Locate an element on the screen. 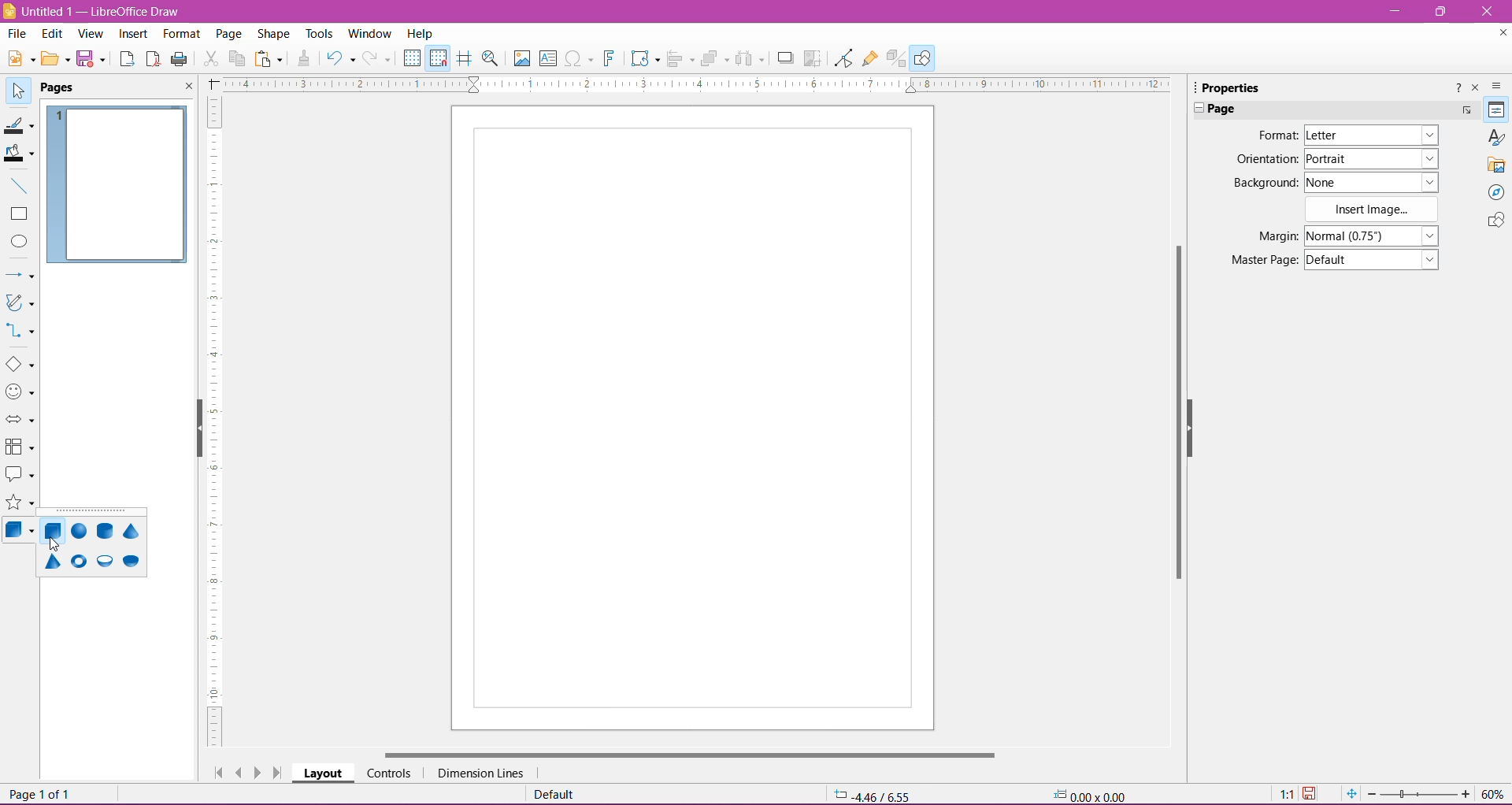  Format is located at coordinates (180, 35).